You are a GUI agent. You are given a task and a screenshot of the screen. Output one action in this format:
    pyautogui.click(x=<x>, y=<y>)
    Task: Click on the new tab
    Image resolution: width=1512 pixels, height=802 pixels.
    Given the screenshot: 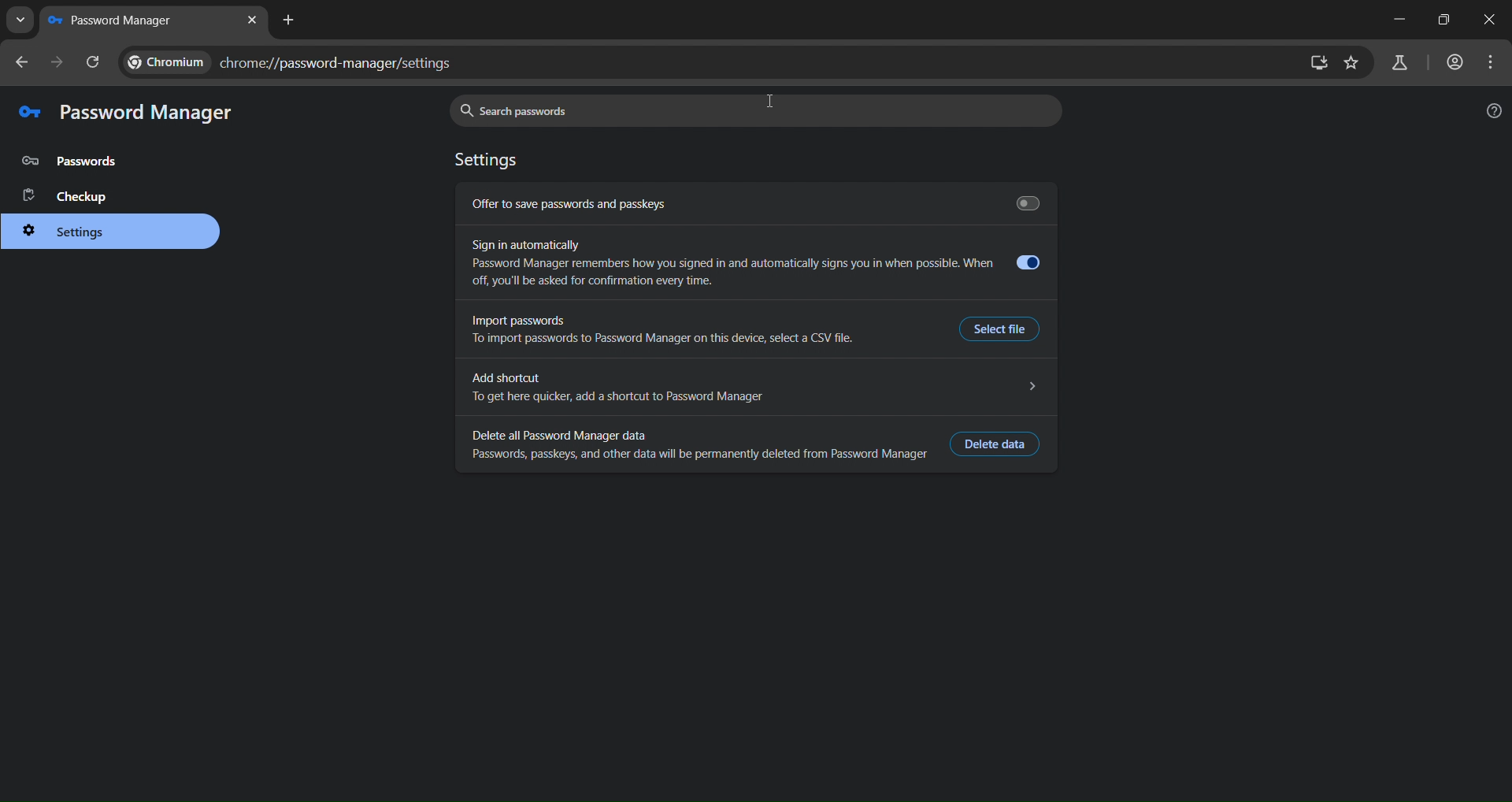 What is the action you would take?
    pyautogui.click(x=250, y=22)
    